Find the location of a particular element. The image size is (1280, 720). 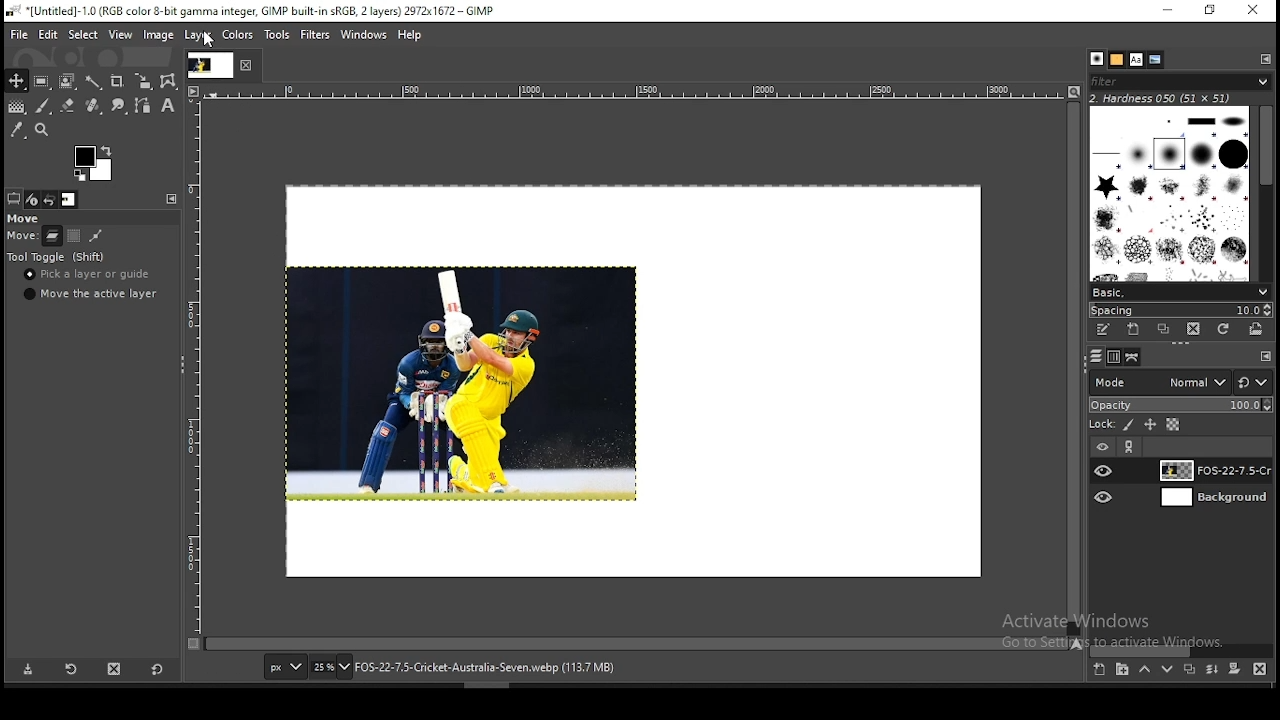

add a mask is located at coordinates (1232, 670).